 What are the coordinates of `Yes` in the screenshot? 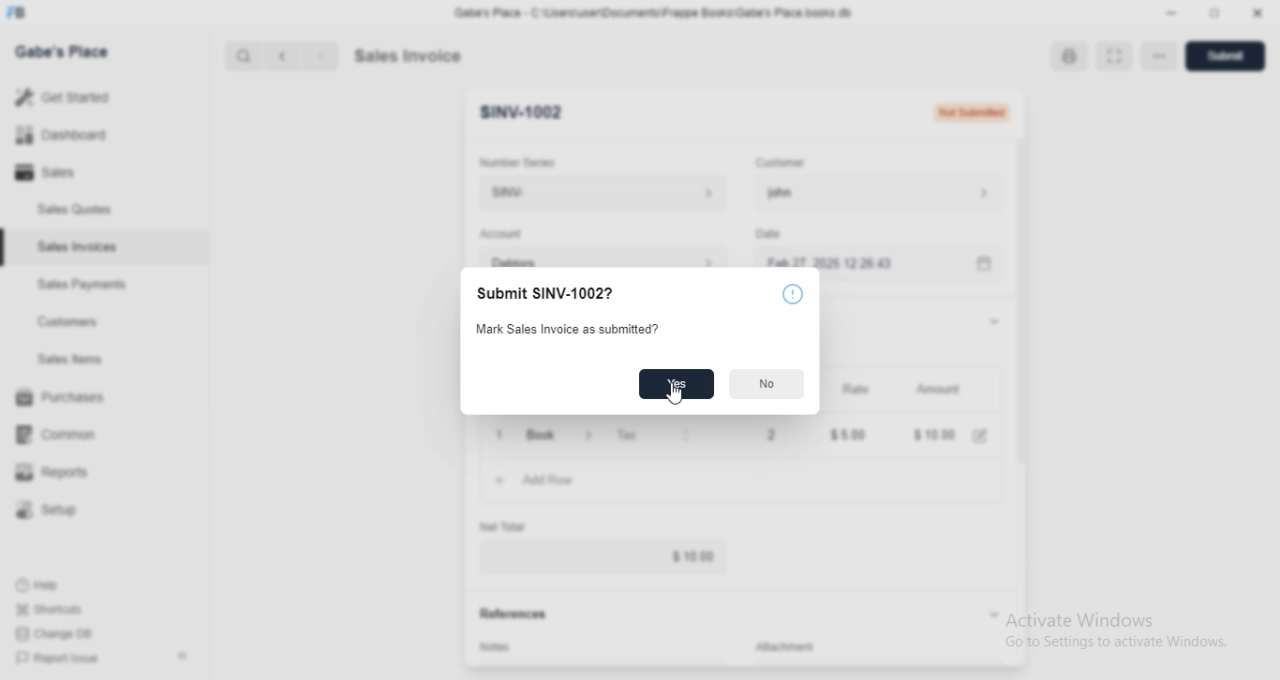 It's located at (677, 384).